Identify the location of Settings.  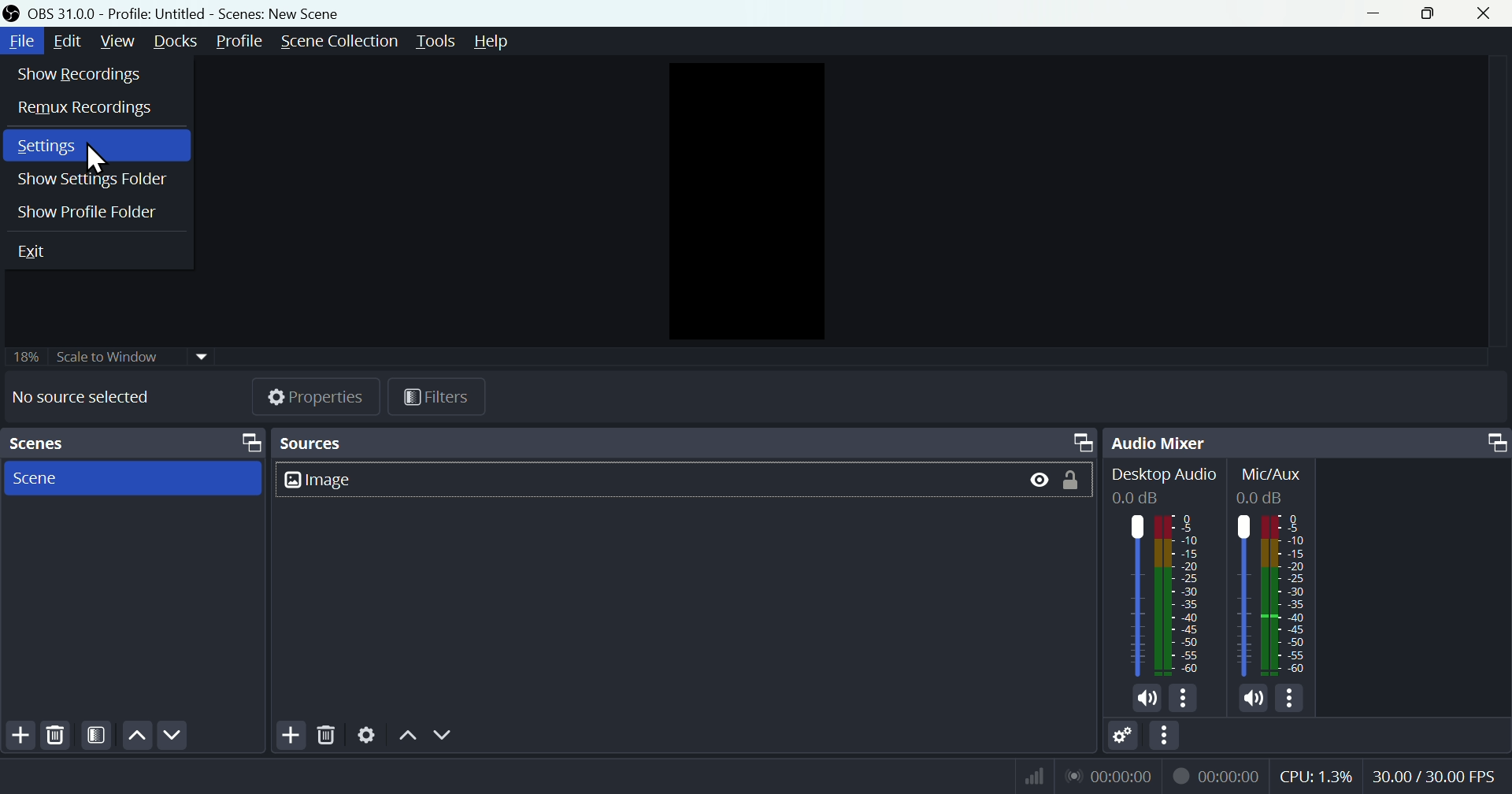
(1124, 738).